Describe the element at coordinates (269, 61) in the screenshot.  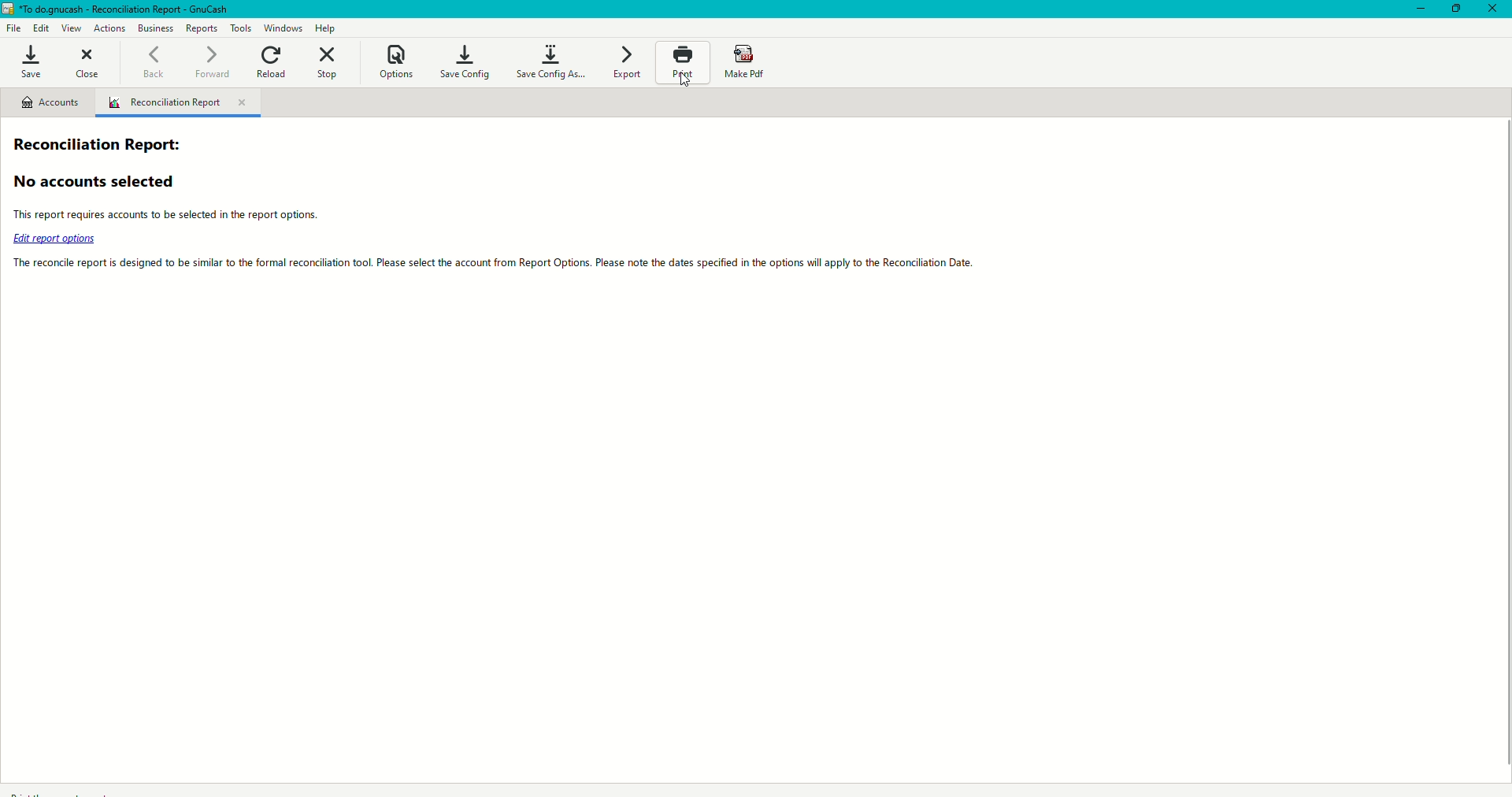
I see `Reload` at that location.